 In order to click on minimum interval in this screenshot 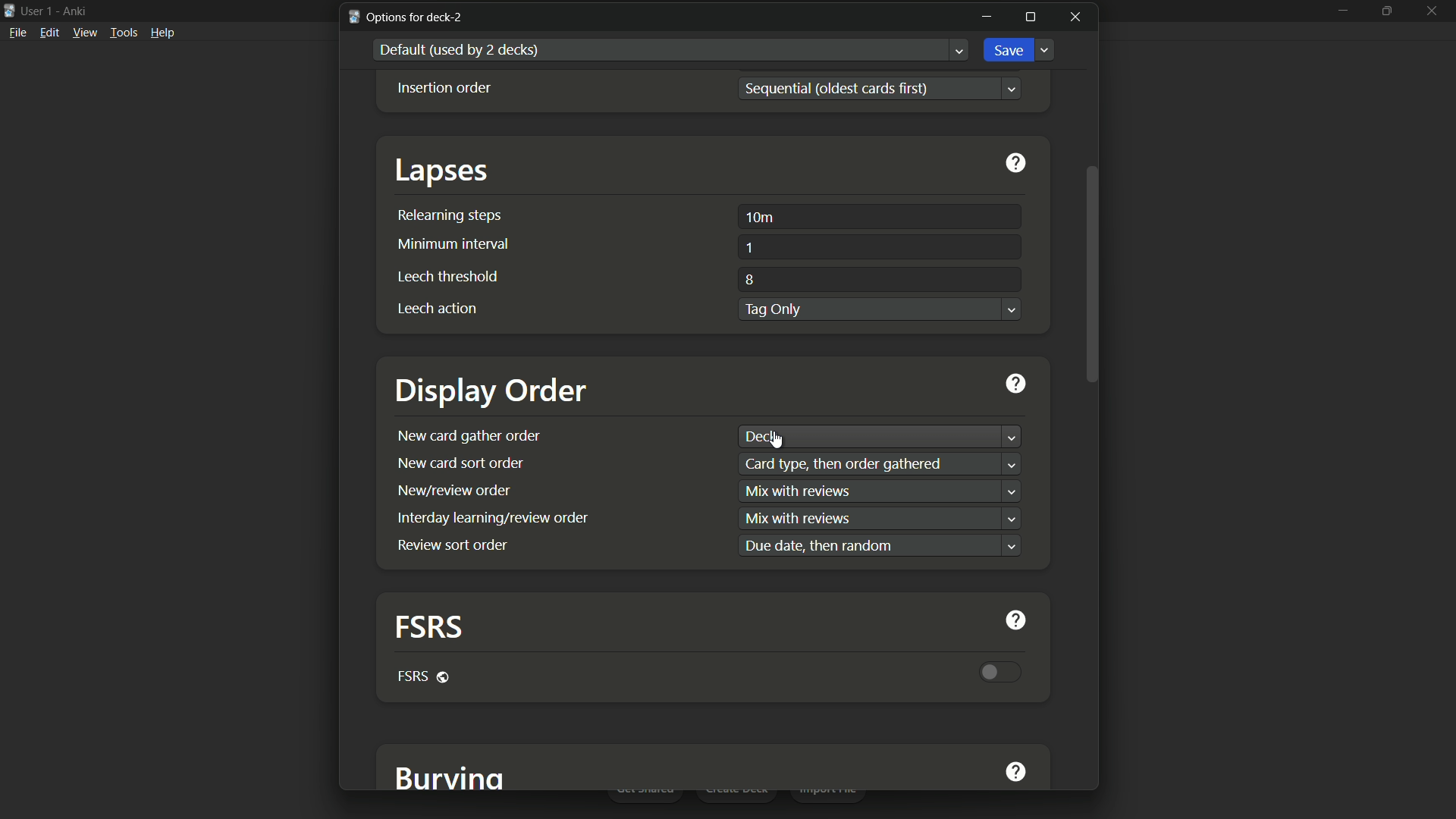, I will do `click(450, 243)`.